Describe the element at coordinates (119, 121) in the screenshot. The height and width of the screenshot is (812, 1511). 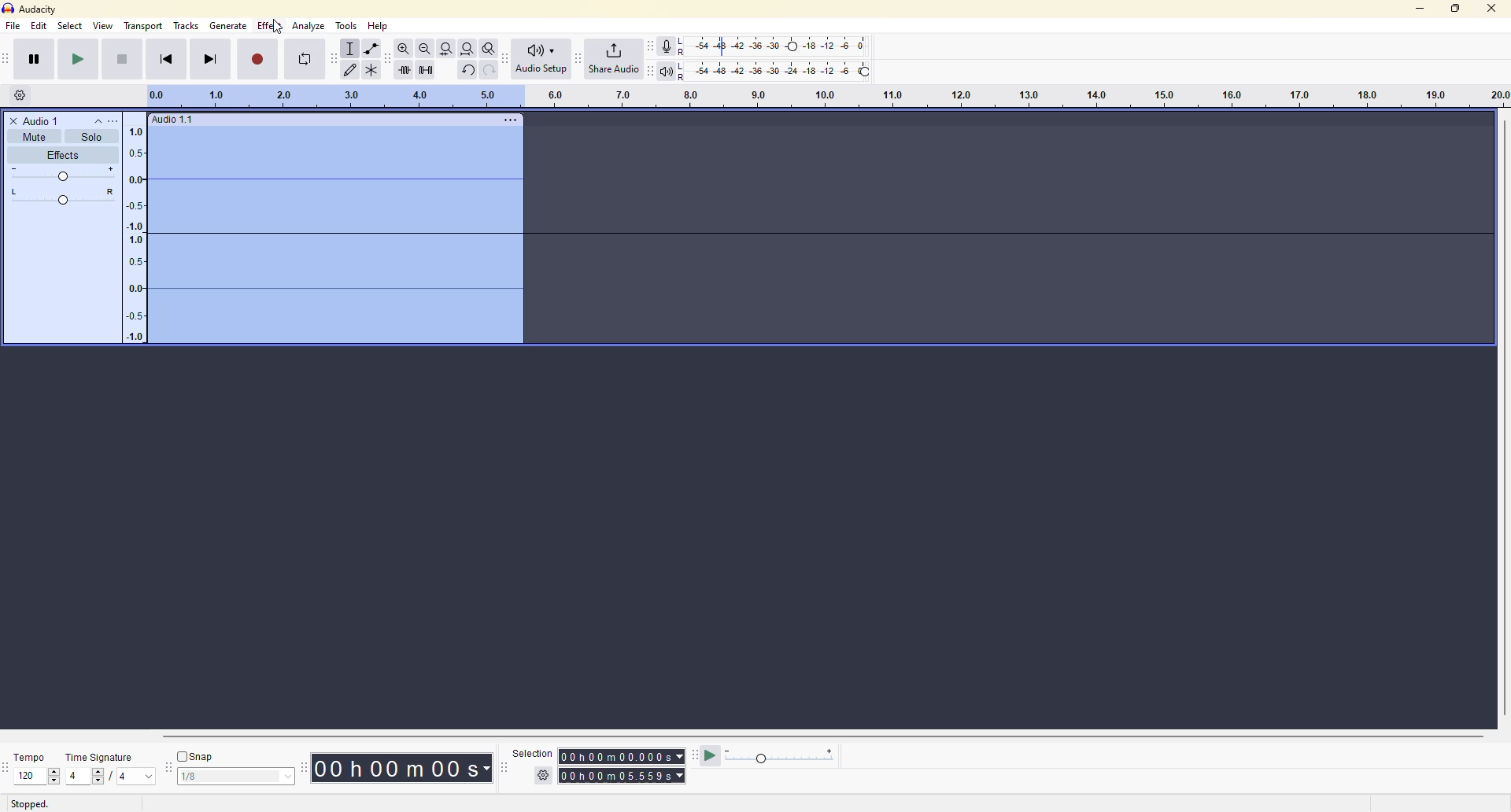
I see `more` at that location.